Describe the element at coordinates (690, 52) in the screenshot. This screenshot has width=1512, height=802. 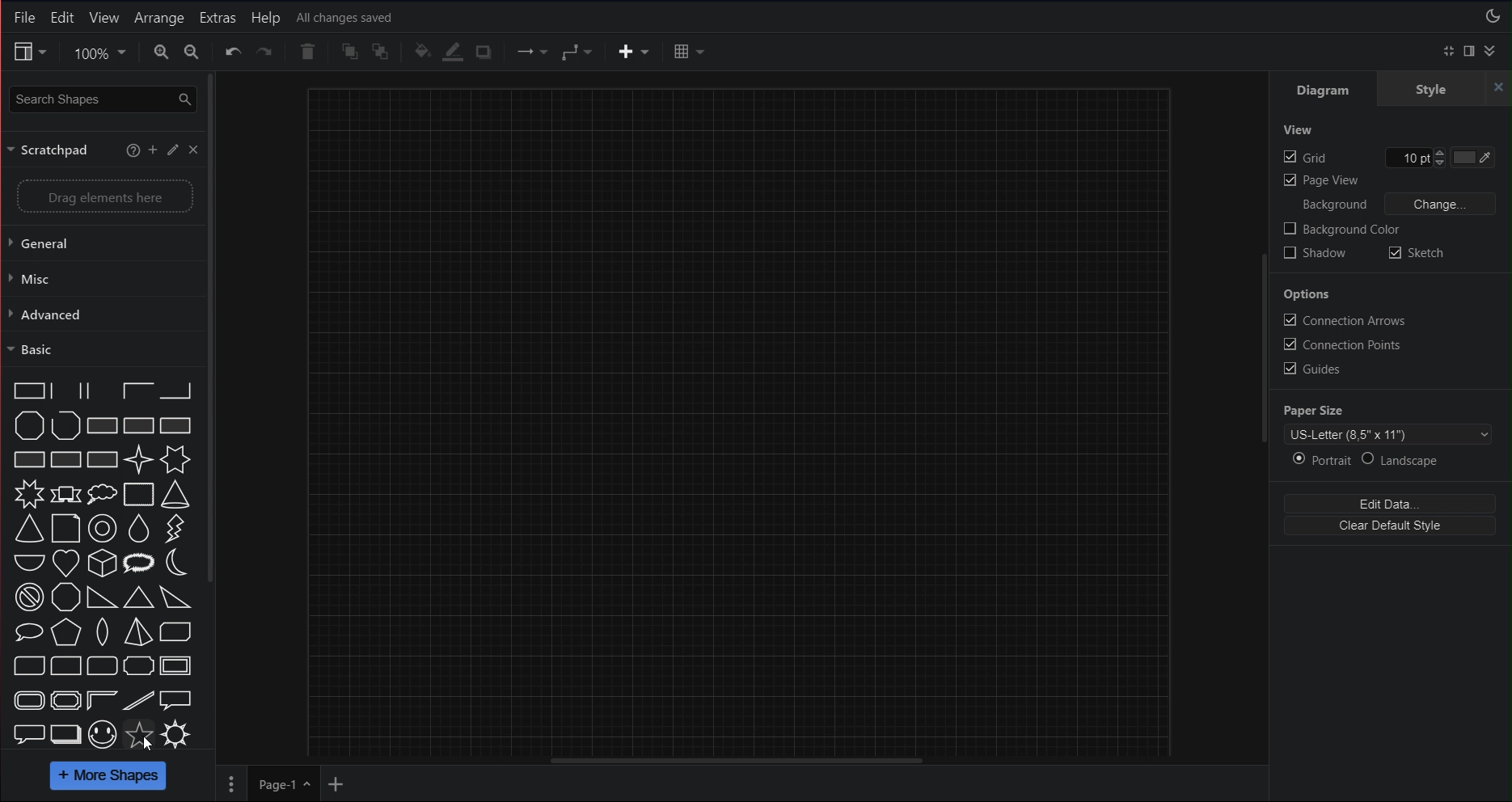
I see `Table` at that location.